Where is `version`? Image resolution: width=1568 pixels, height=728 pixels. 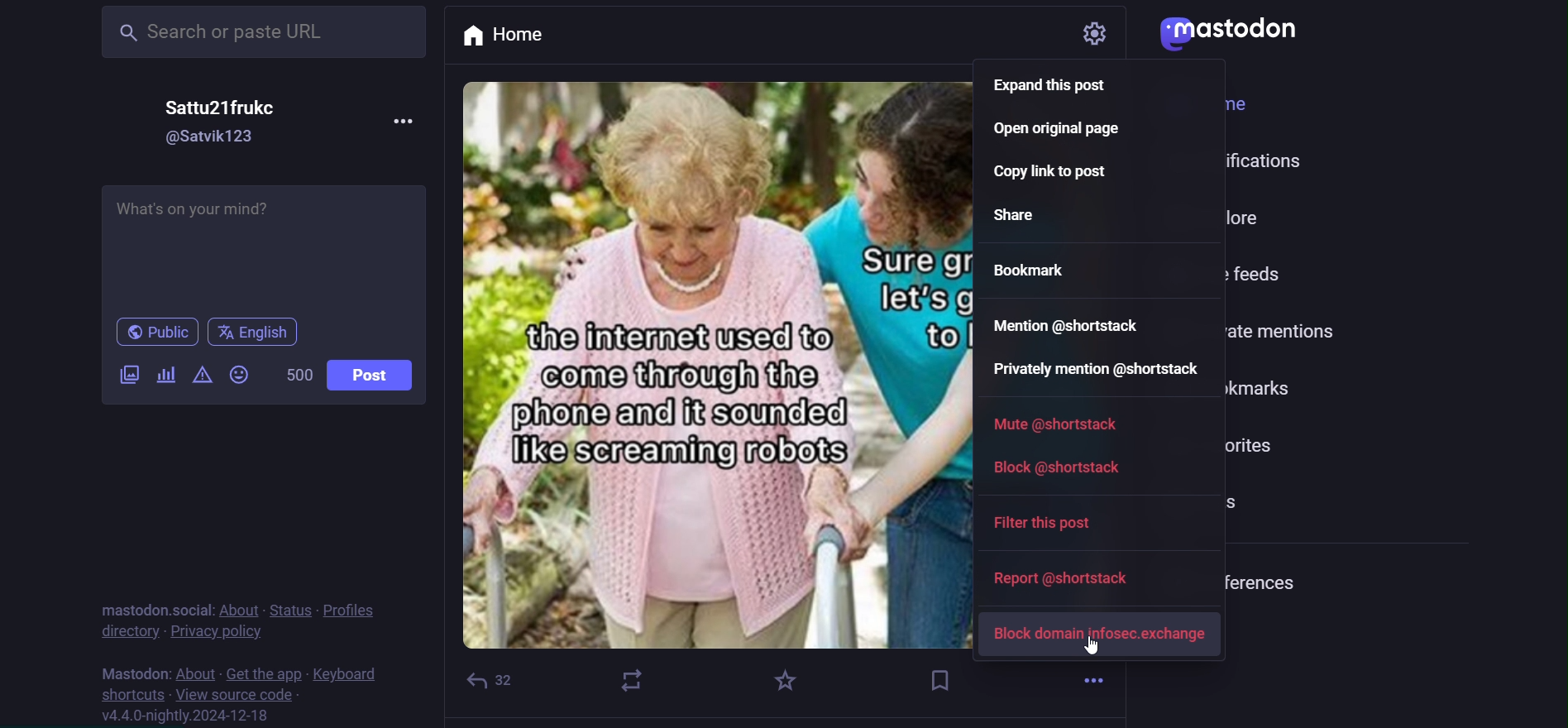
version is located at coordinates (188, 717).